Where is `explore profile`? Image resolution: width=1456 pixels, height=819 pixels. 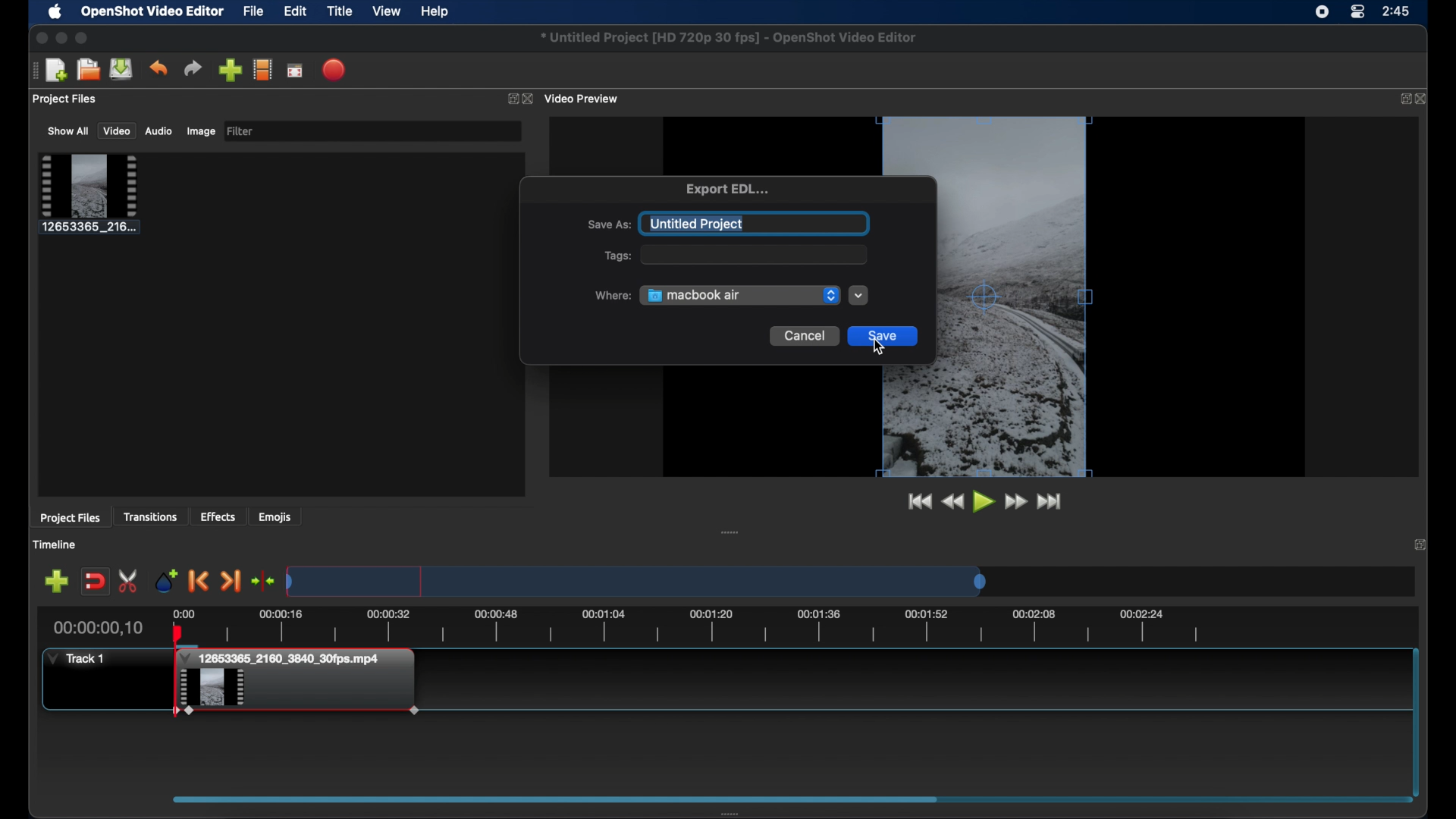
explore profile is located at coordinates (263, 70).